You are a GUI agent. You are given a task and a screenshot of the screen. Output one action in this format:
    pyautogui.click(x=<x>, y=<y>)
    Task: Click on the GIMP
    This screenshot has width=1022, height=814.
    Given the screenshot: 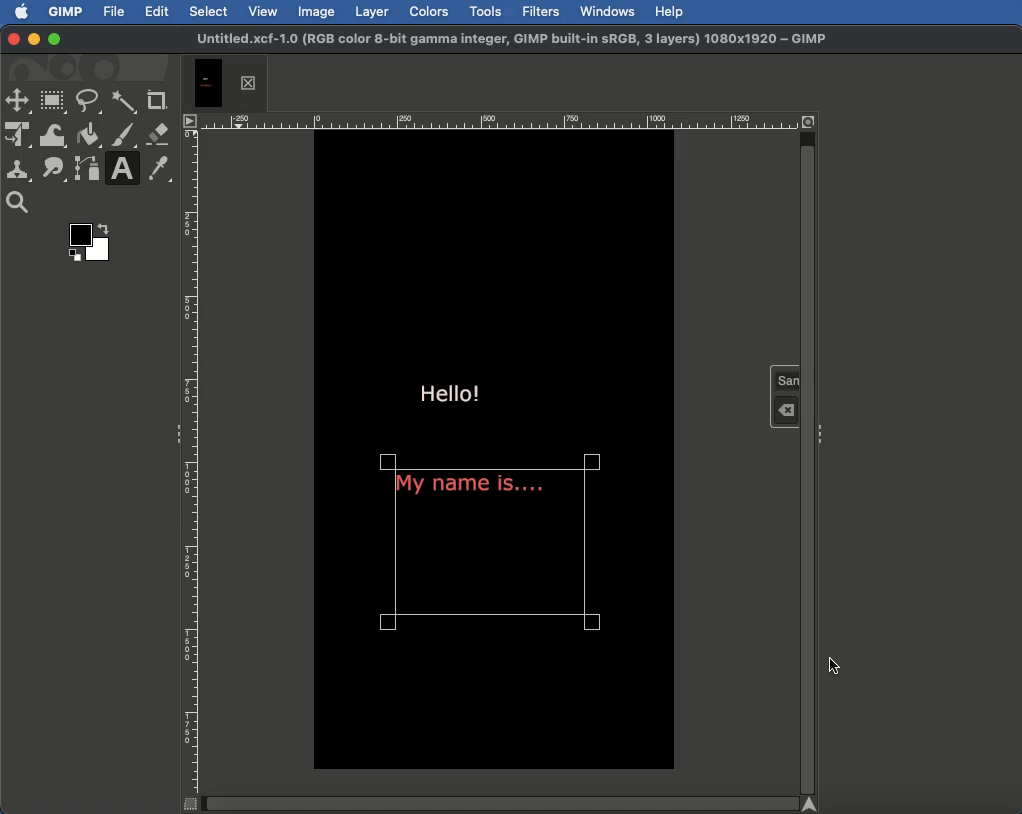 What is the action you would take?
    pyautogui.click(x=67, y=12)
    